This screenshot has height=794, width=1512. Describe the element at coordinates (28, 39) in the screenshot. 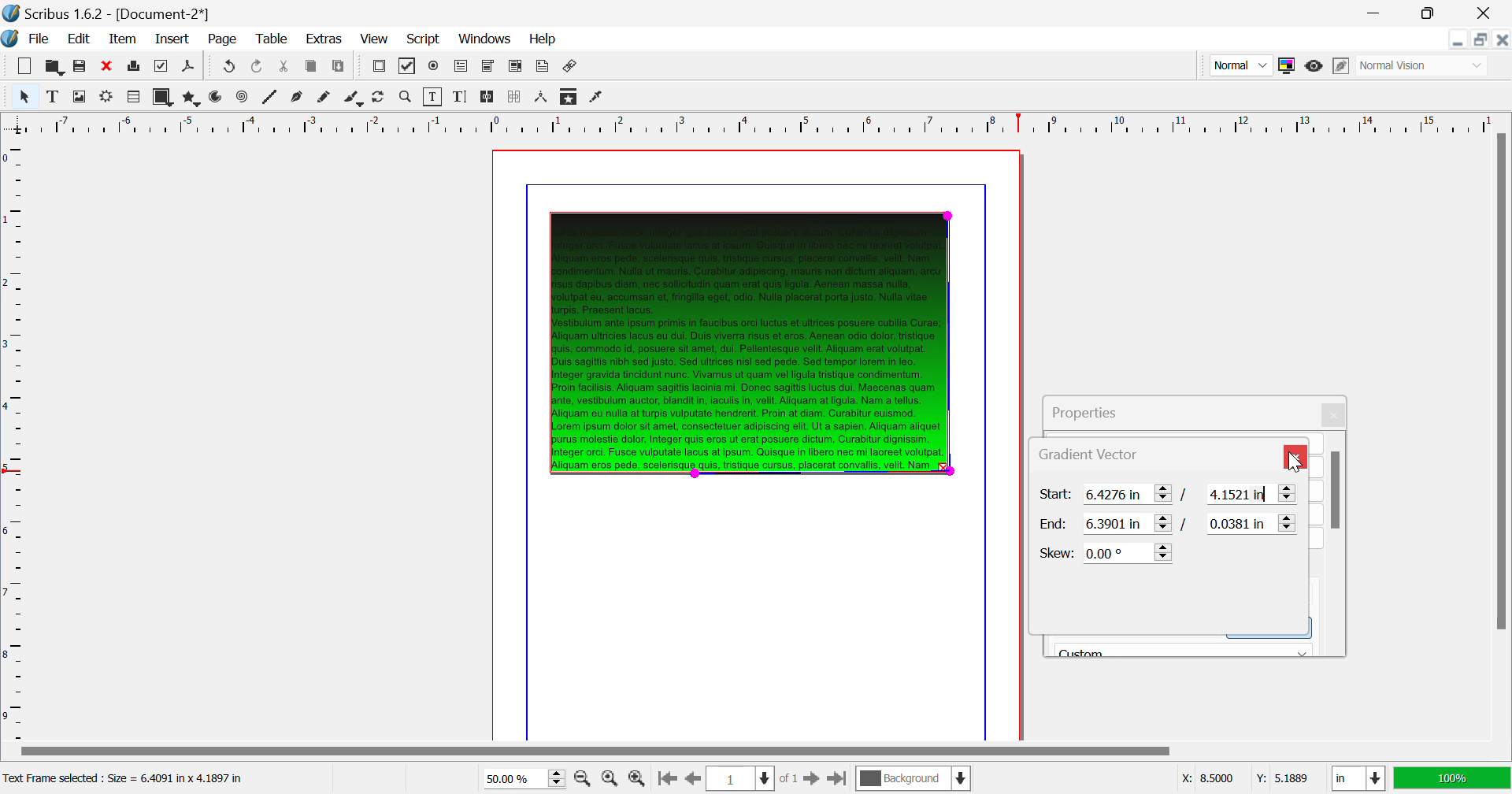

I see `File` at that location.